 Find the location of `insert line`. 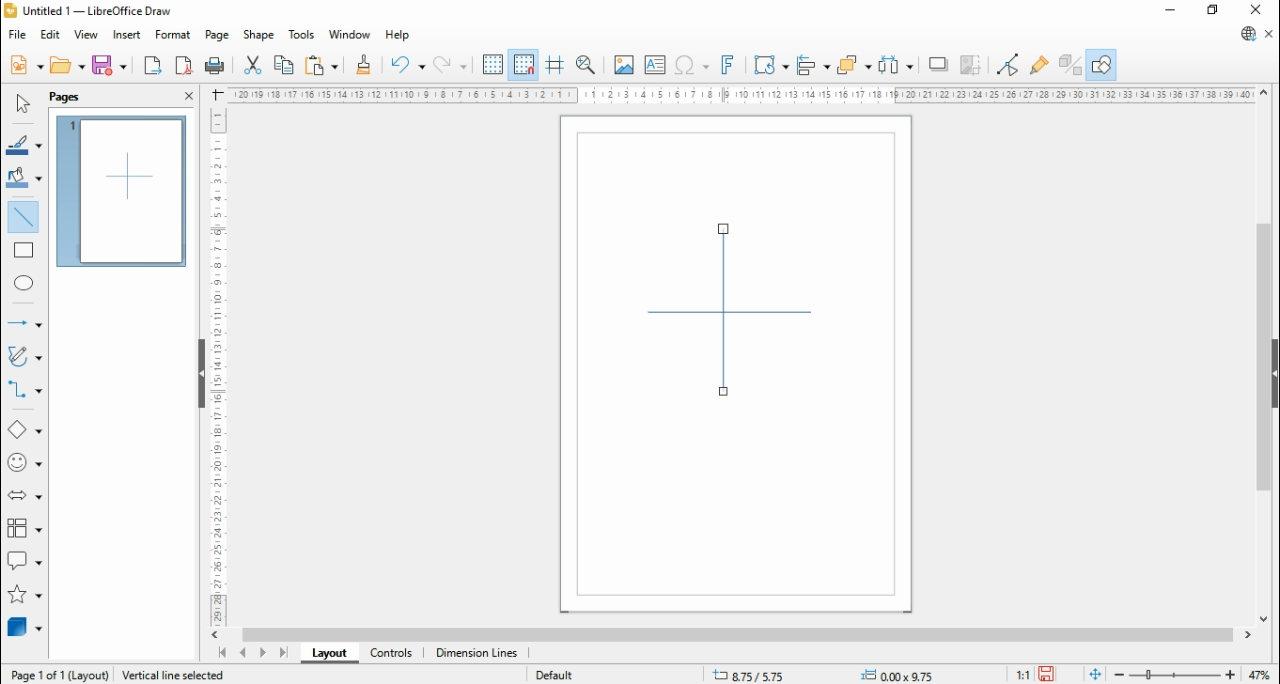

insert line is located at coordinates (24, 215).